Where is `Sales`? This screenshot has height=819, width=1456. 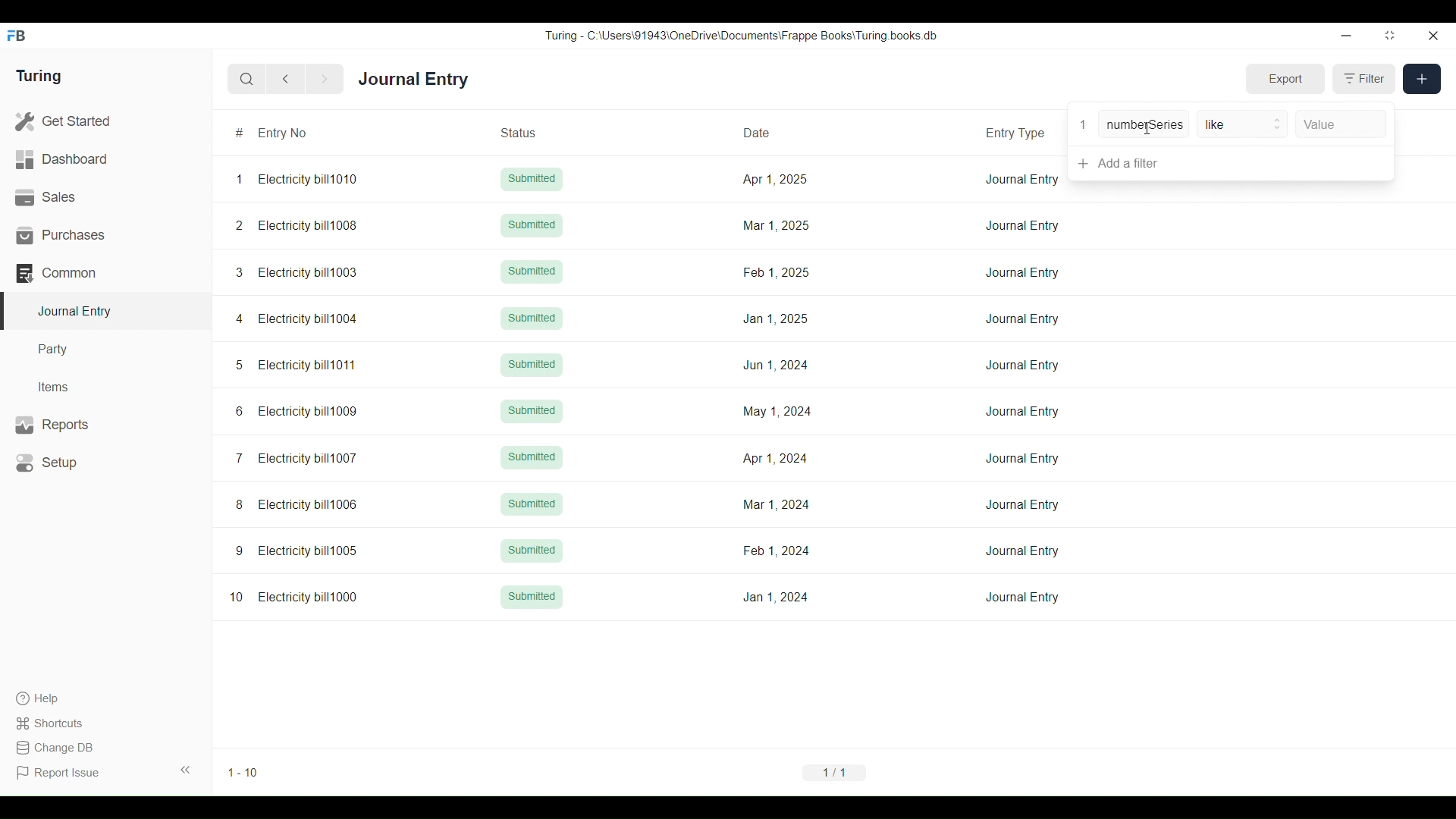
Sales is located at coordinates (105, 197).